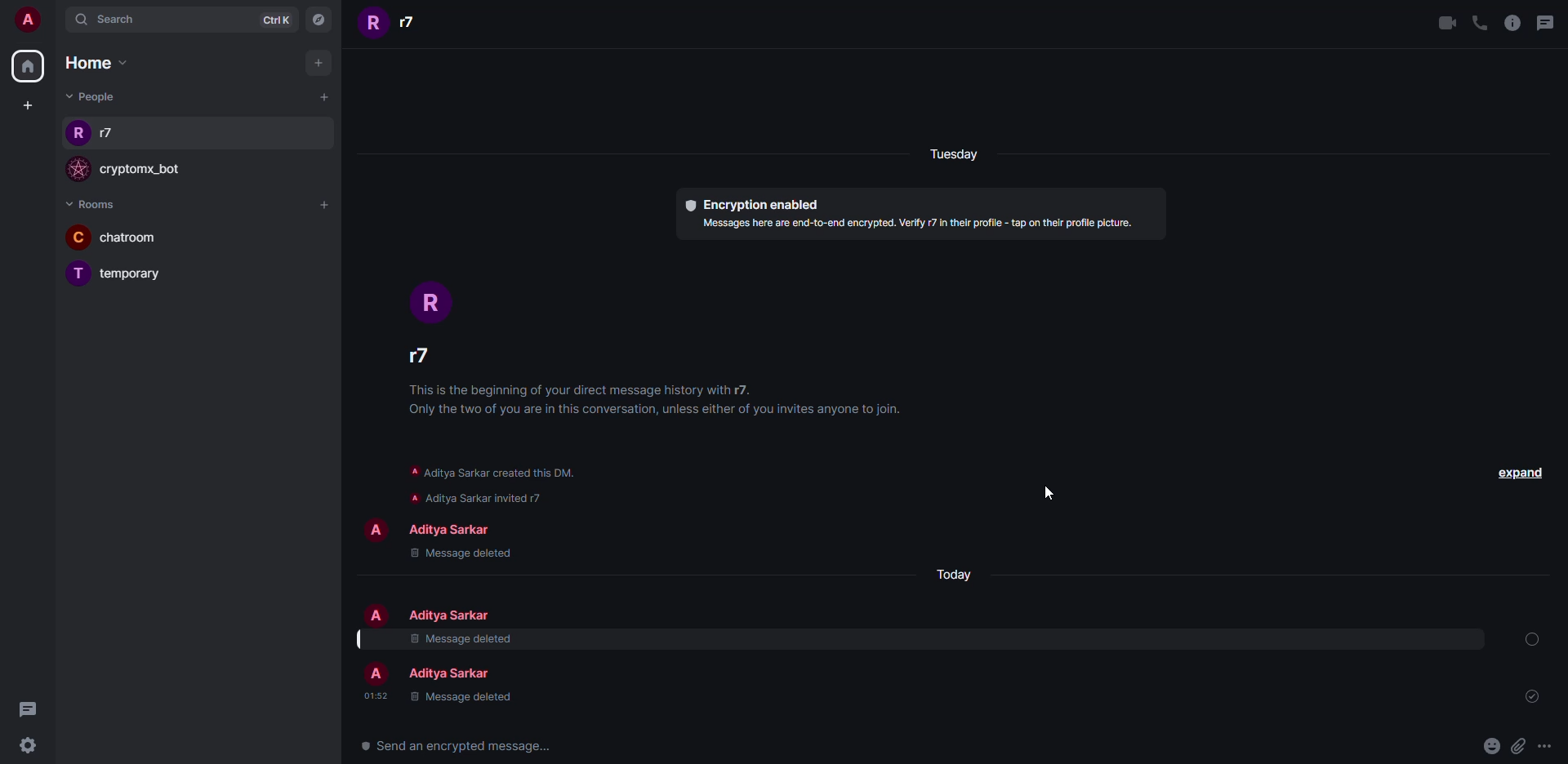 The image size is (1568, 764). I want to click on day, so click(946, 576).